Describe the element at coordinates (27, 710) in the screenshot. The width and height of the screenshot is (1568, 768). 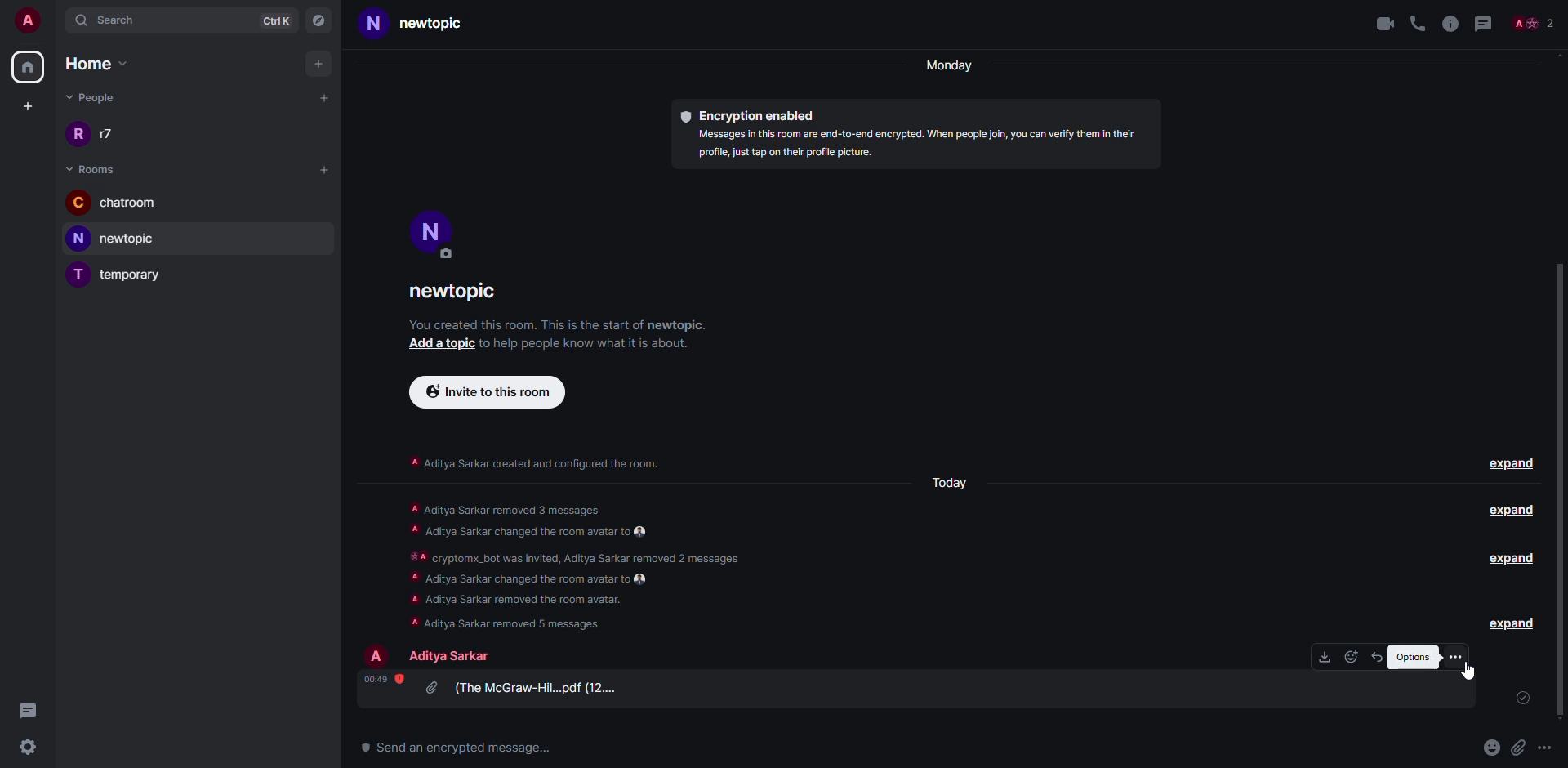
I see `threads` at that location.